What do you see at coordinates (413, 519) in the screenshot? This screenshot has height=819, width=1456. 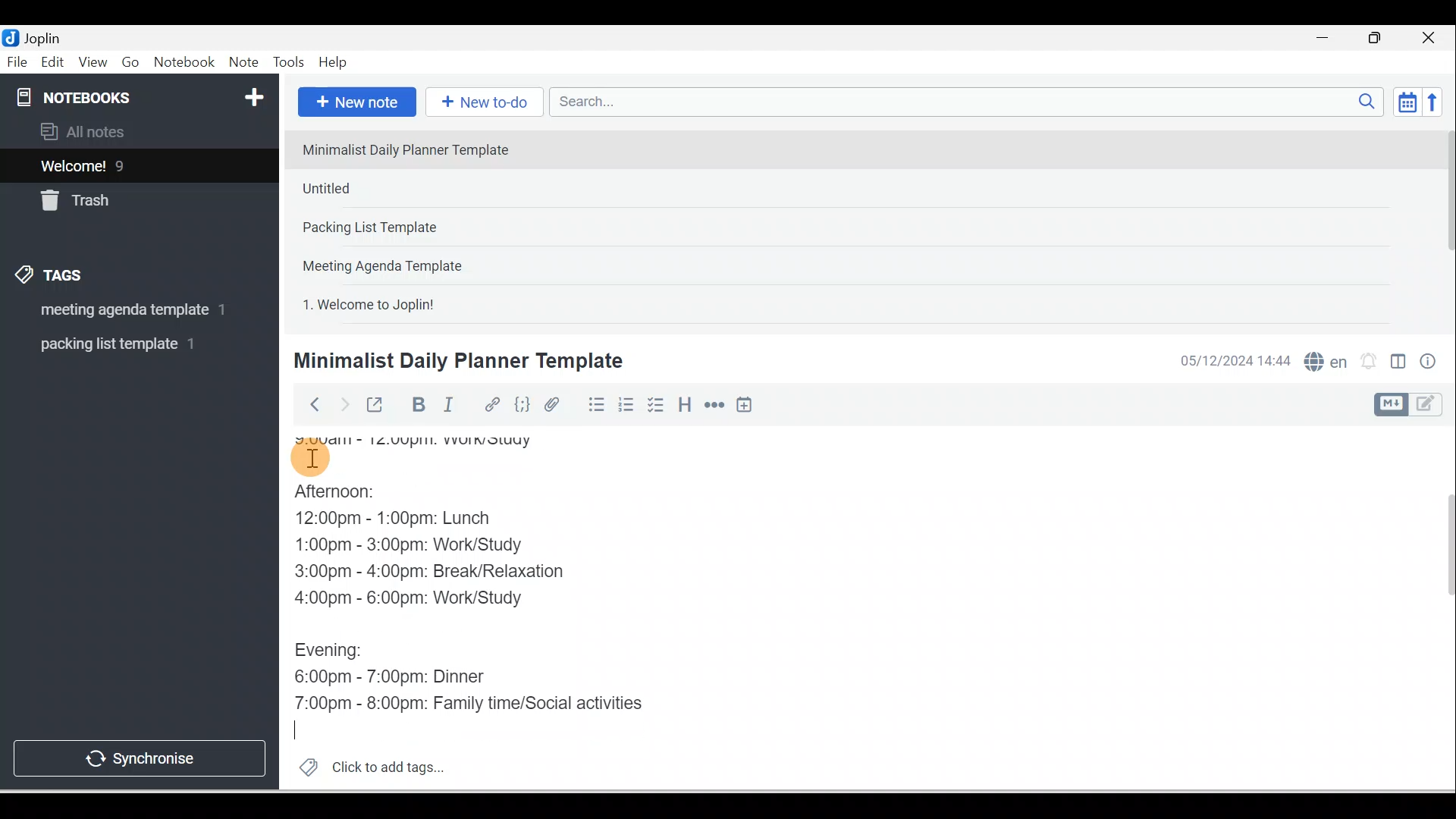 I see `12:00pm - 1:00pm: Lunch` at bounding box center [413, 519].